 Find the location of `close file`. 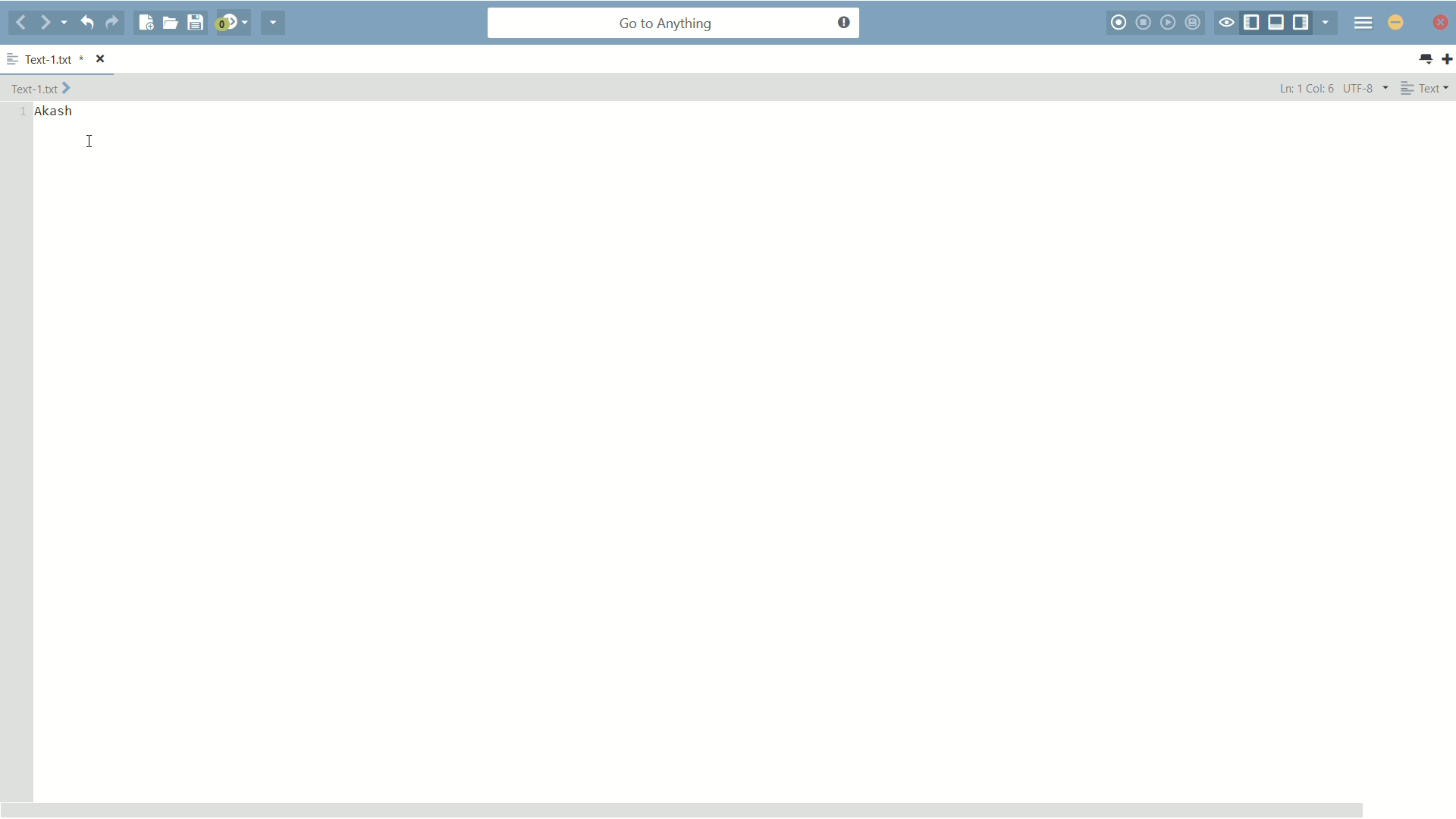

close file is located at coordinates (101, 58).